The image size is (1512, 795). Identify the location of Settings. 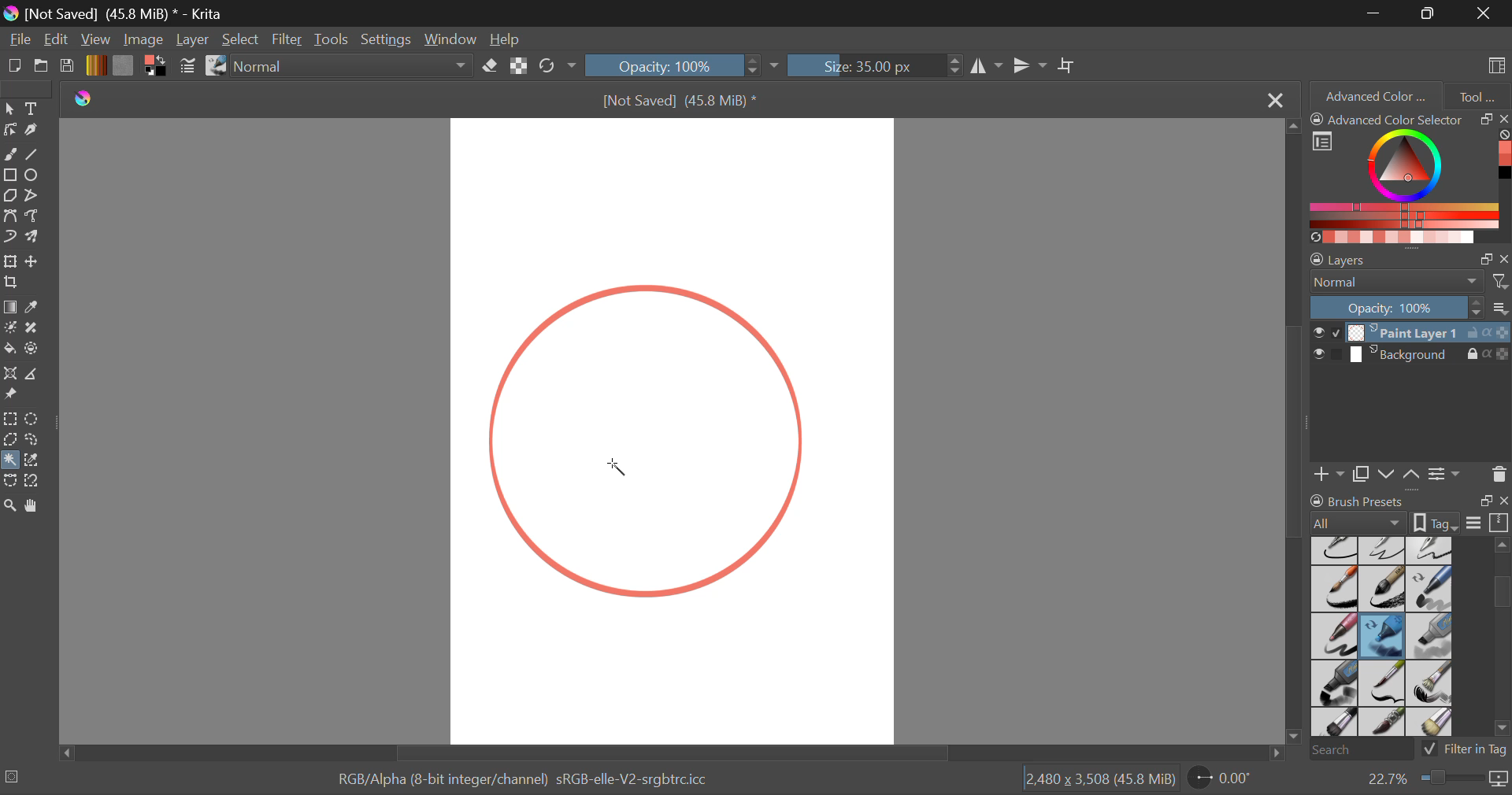
(390, 39).